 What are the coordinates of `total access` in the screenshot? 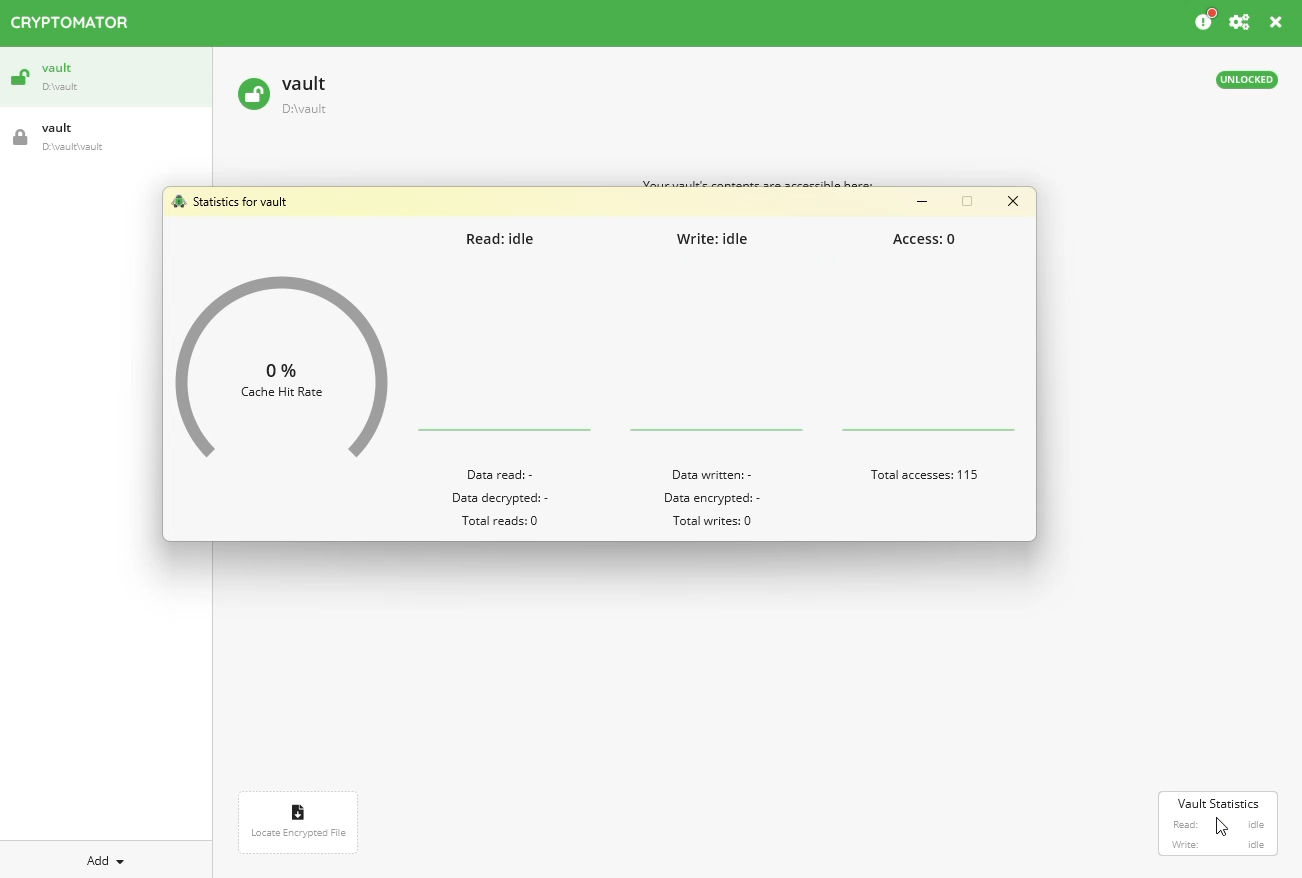 It's located at (924, 476).